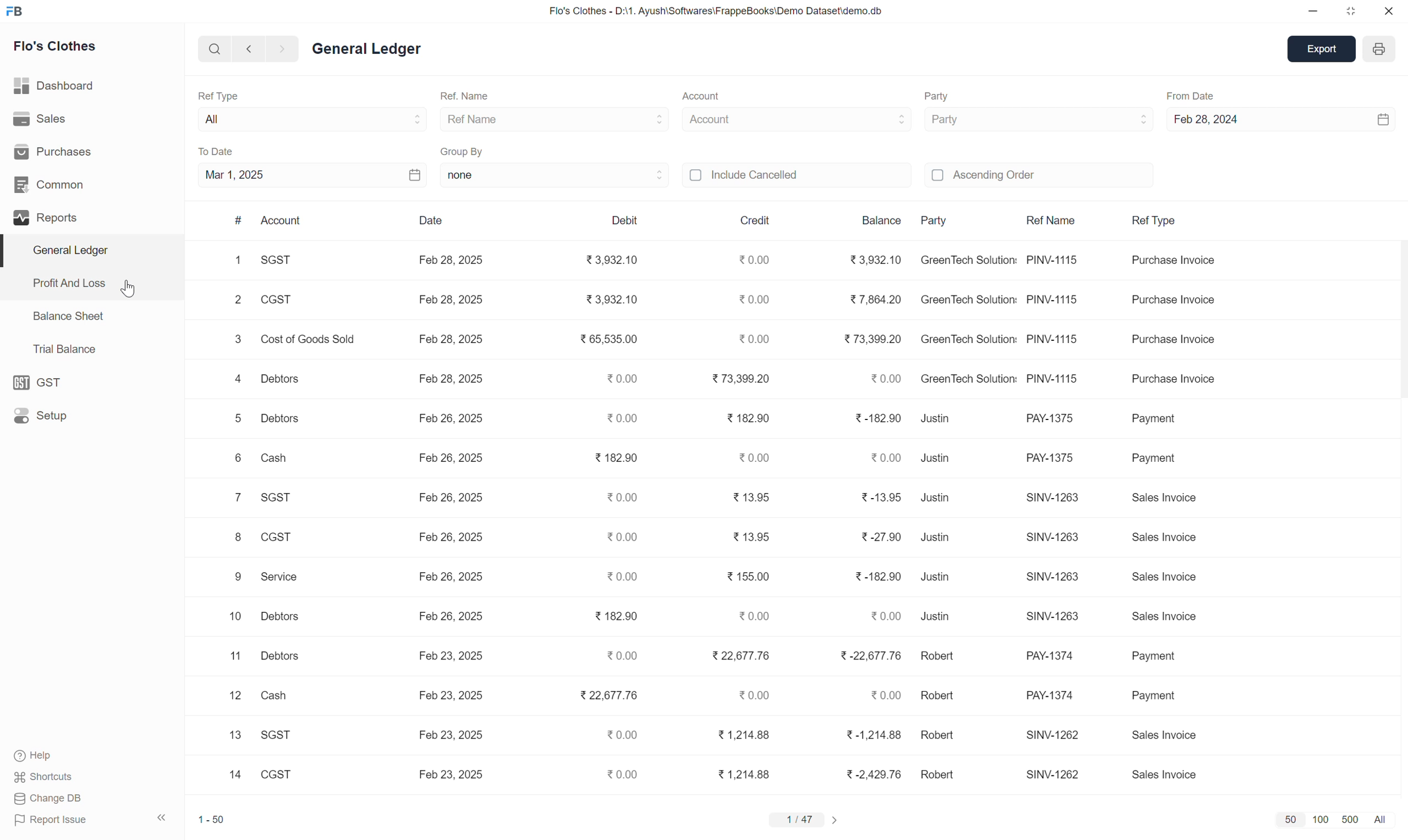 This screenshot has height=840, width=1408. What do you see at coordinates (937, 458) in the screenshot?
I see `Justin` at bounding box center [937, 458].